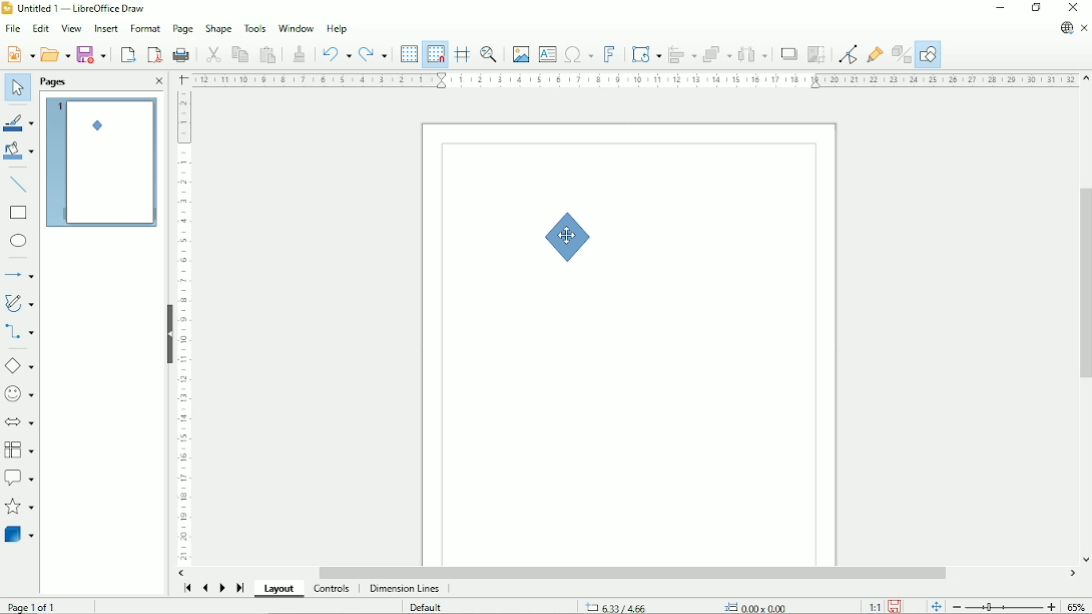 This screenshot has width=1092, height=614. Describe the element at coordinates (241, 54) in the screenshot. I see `Copy` at that location.